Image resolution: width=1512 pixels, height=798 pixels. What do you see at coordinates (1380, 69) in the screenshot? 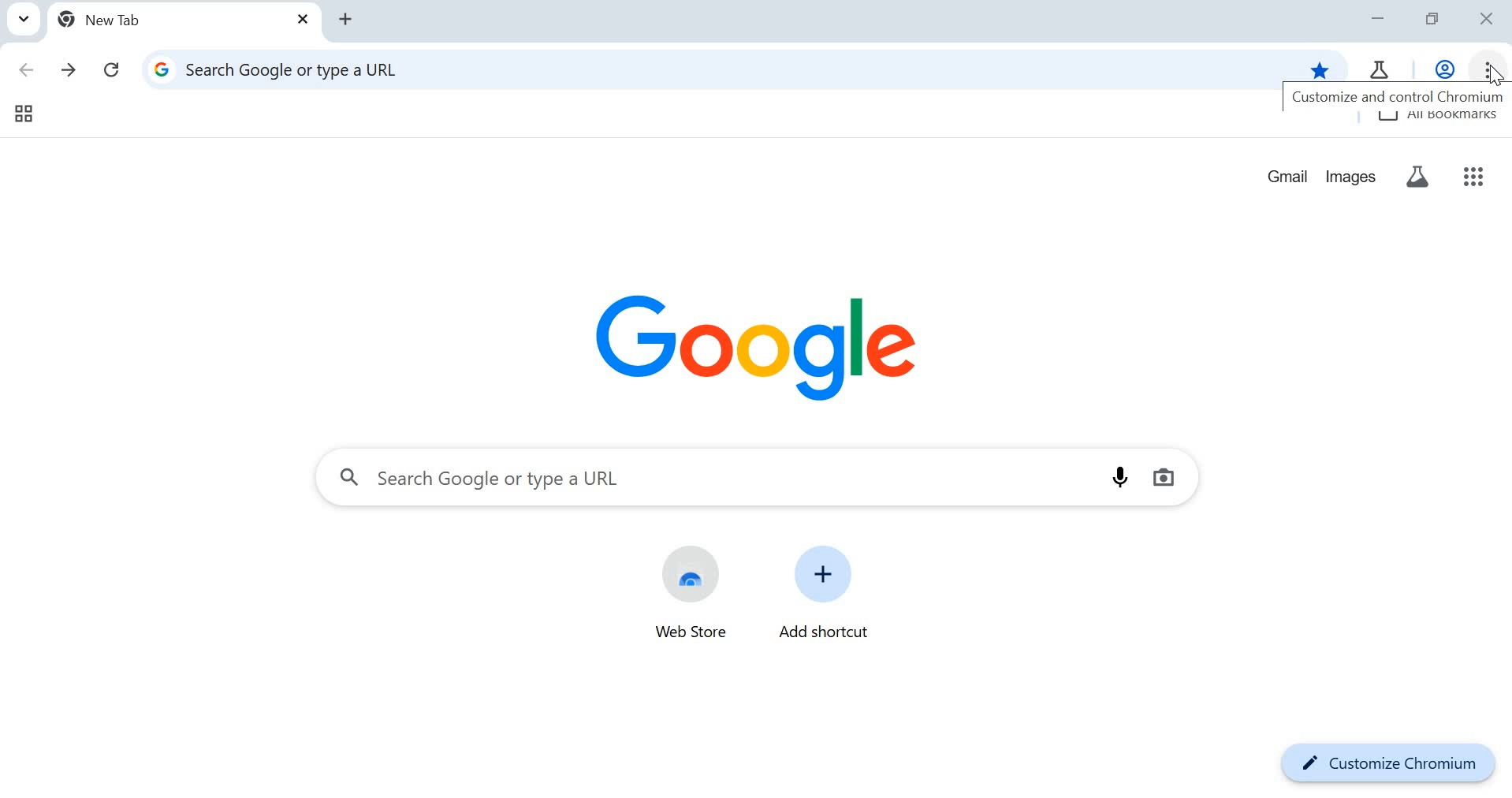
I see `chrome tab` at bounding box center [1380, 69].